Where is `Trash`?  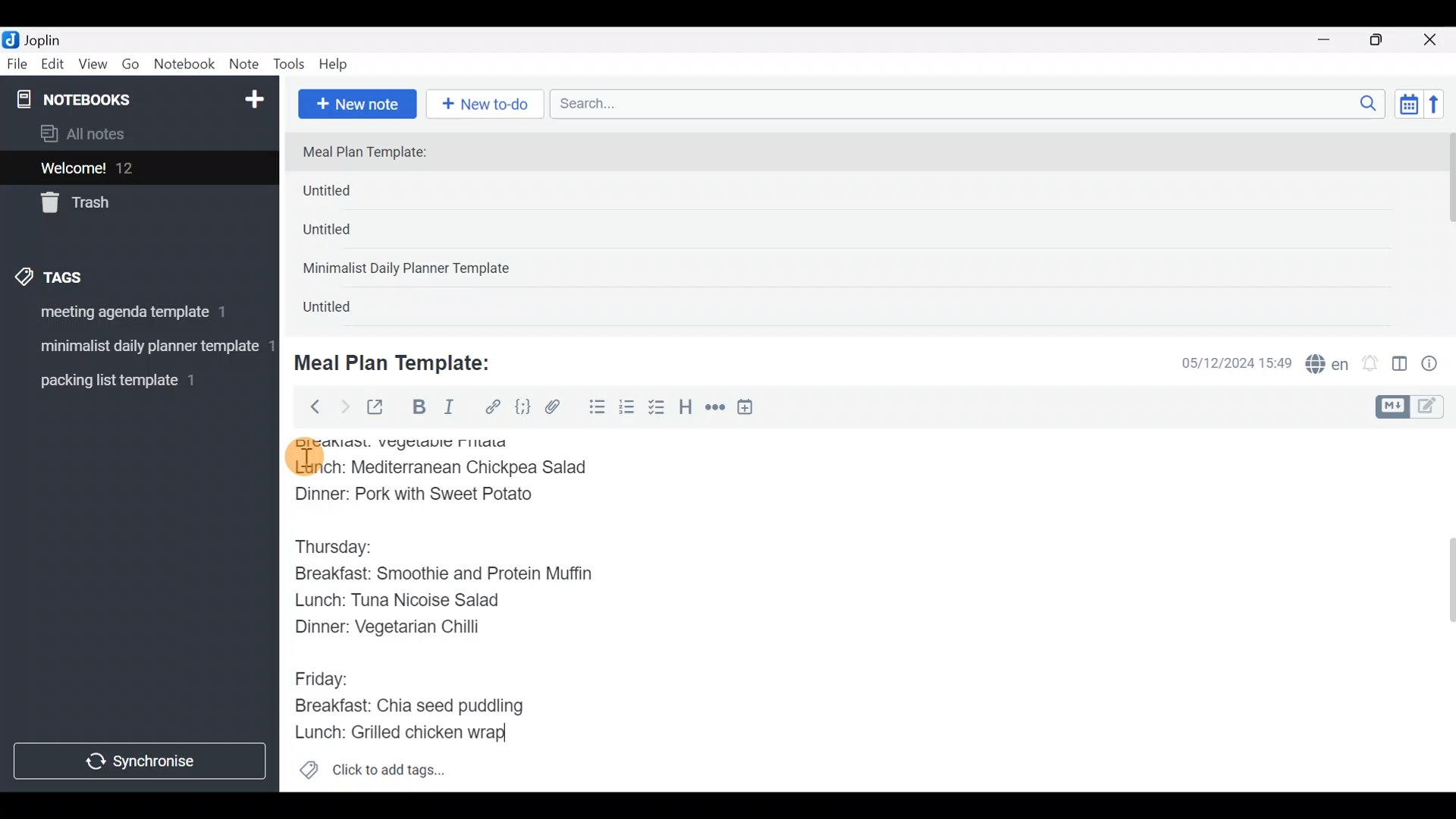
Trash is located at coordinates (130, 204).